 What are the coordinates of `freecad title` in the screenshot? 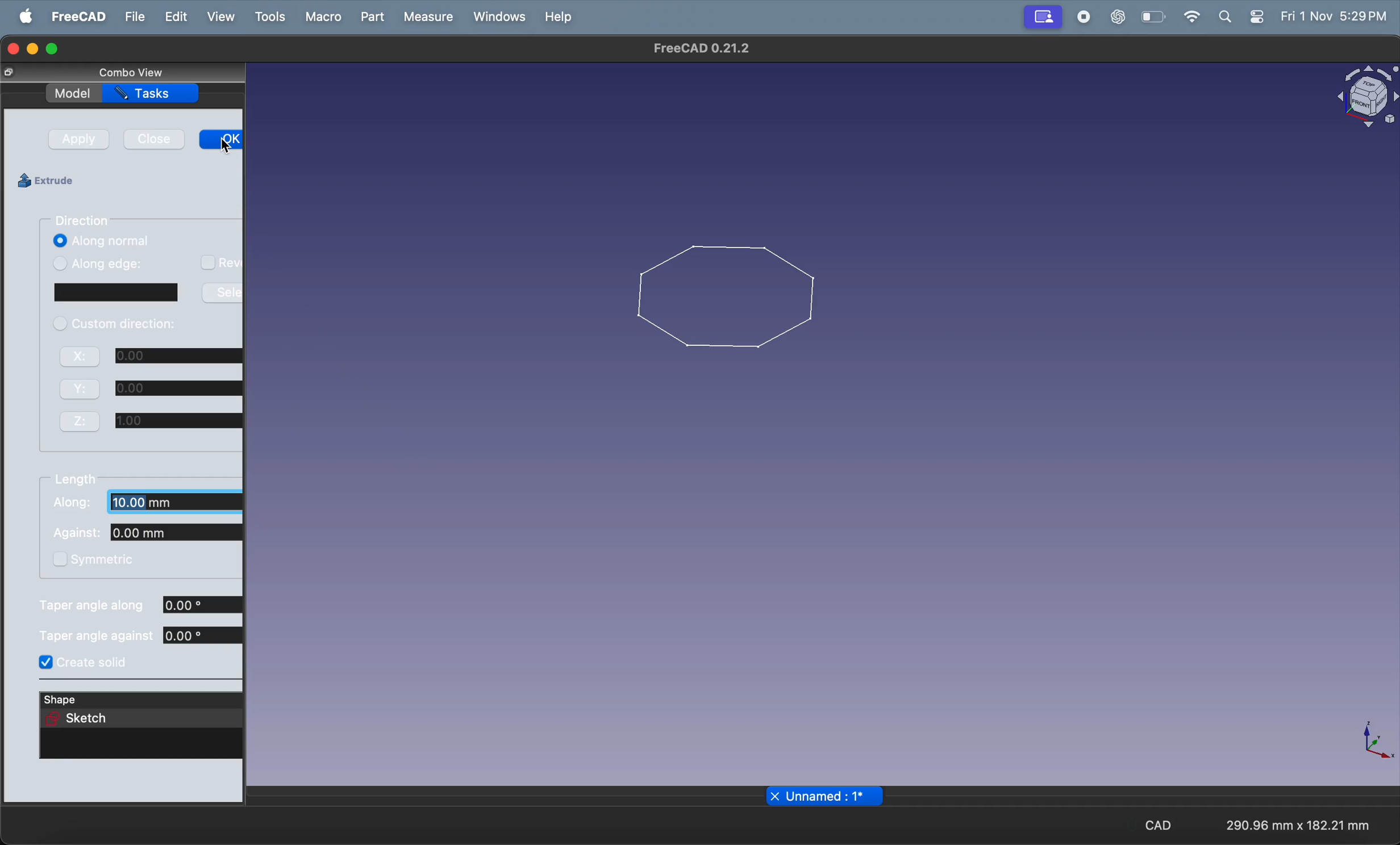 It's located at (698, 49).